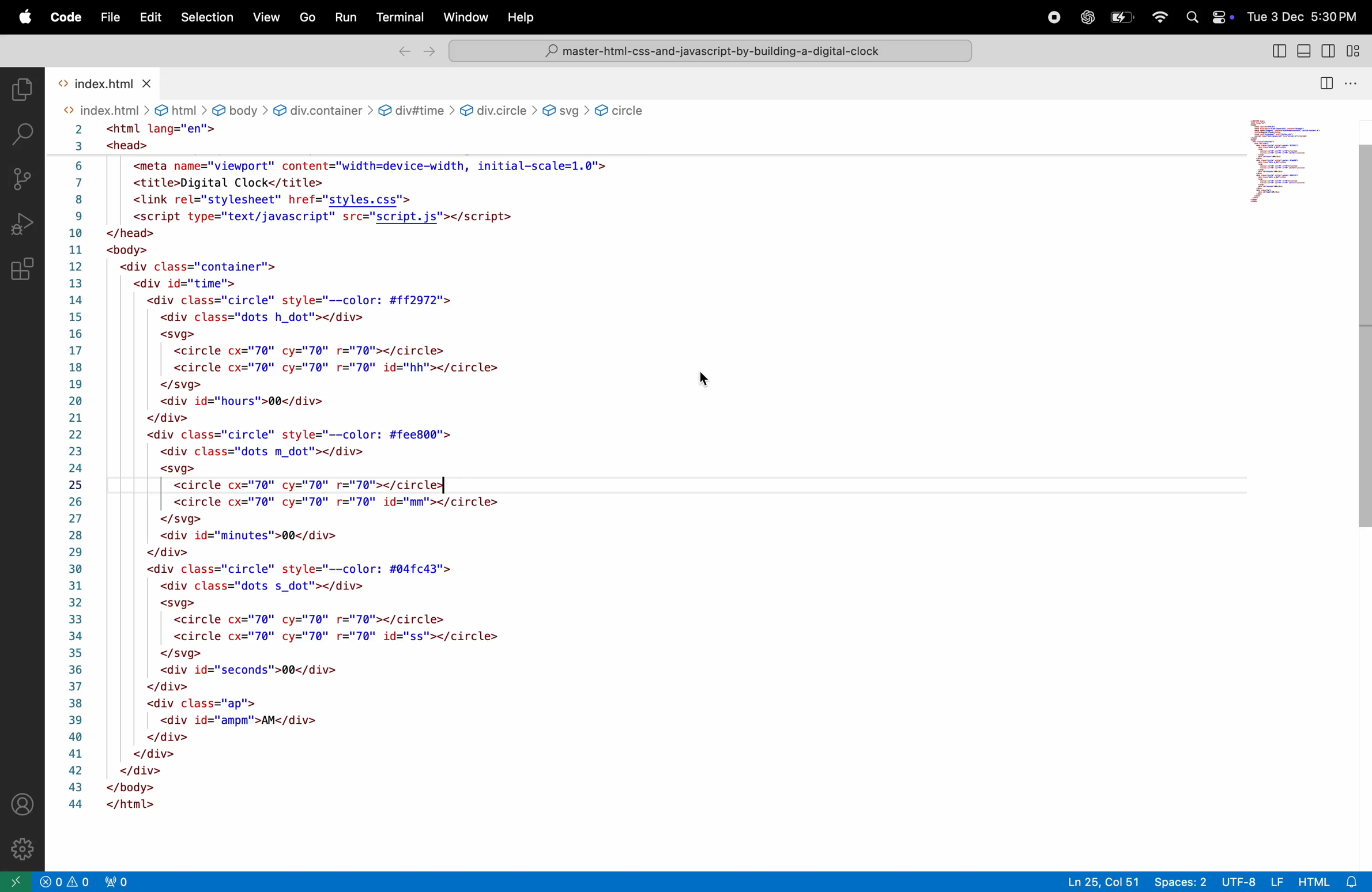  What do you see at coordinates (1301, 17) in the screenshot?
I see `date and time` at bounding box center [1301, 17].